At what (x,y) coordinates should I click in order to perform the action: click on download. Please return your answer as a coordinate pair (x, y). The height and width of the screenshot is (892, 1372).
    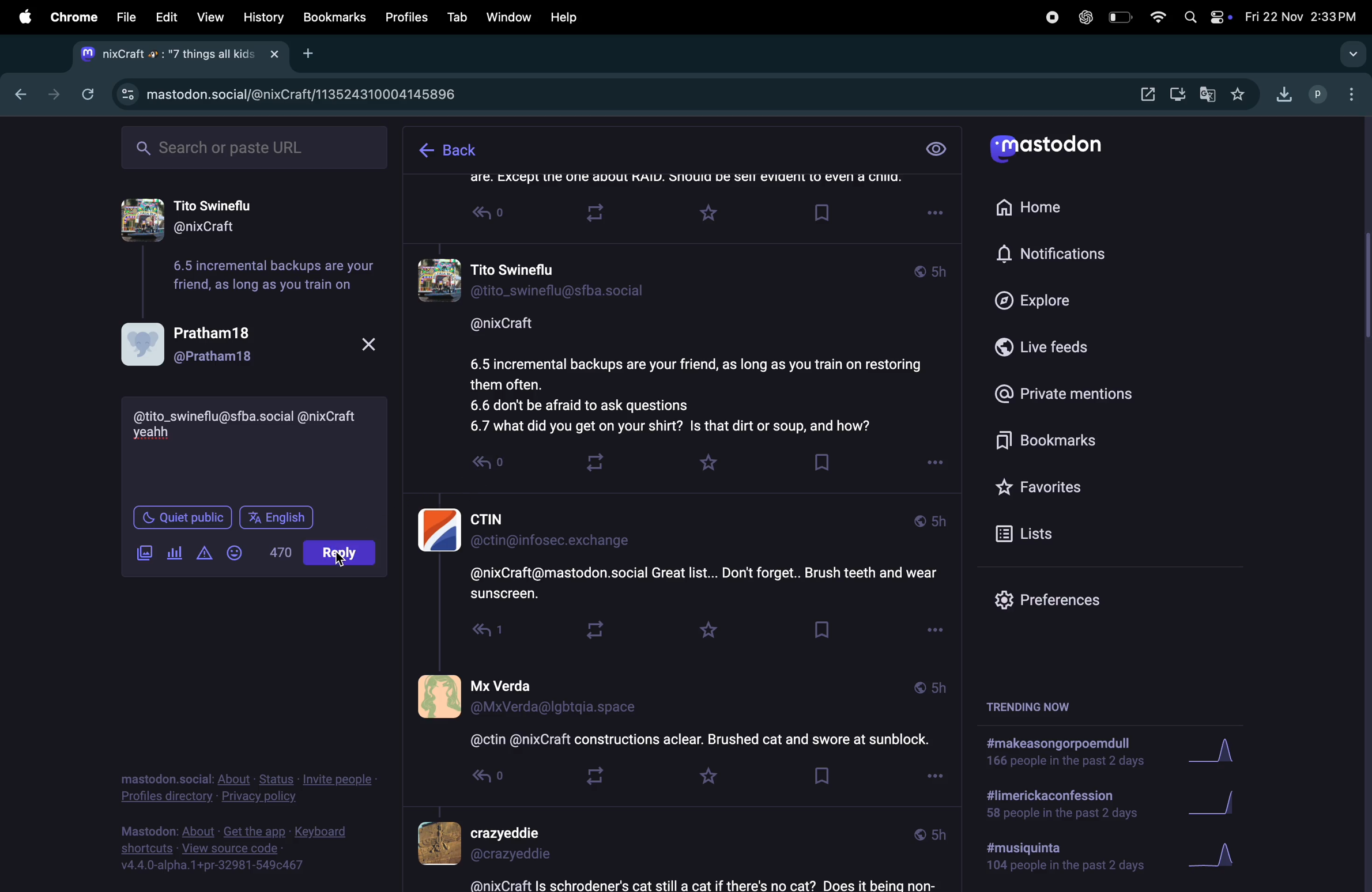
    Looking at the image, I should click on (1282, 97).